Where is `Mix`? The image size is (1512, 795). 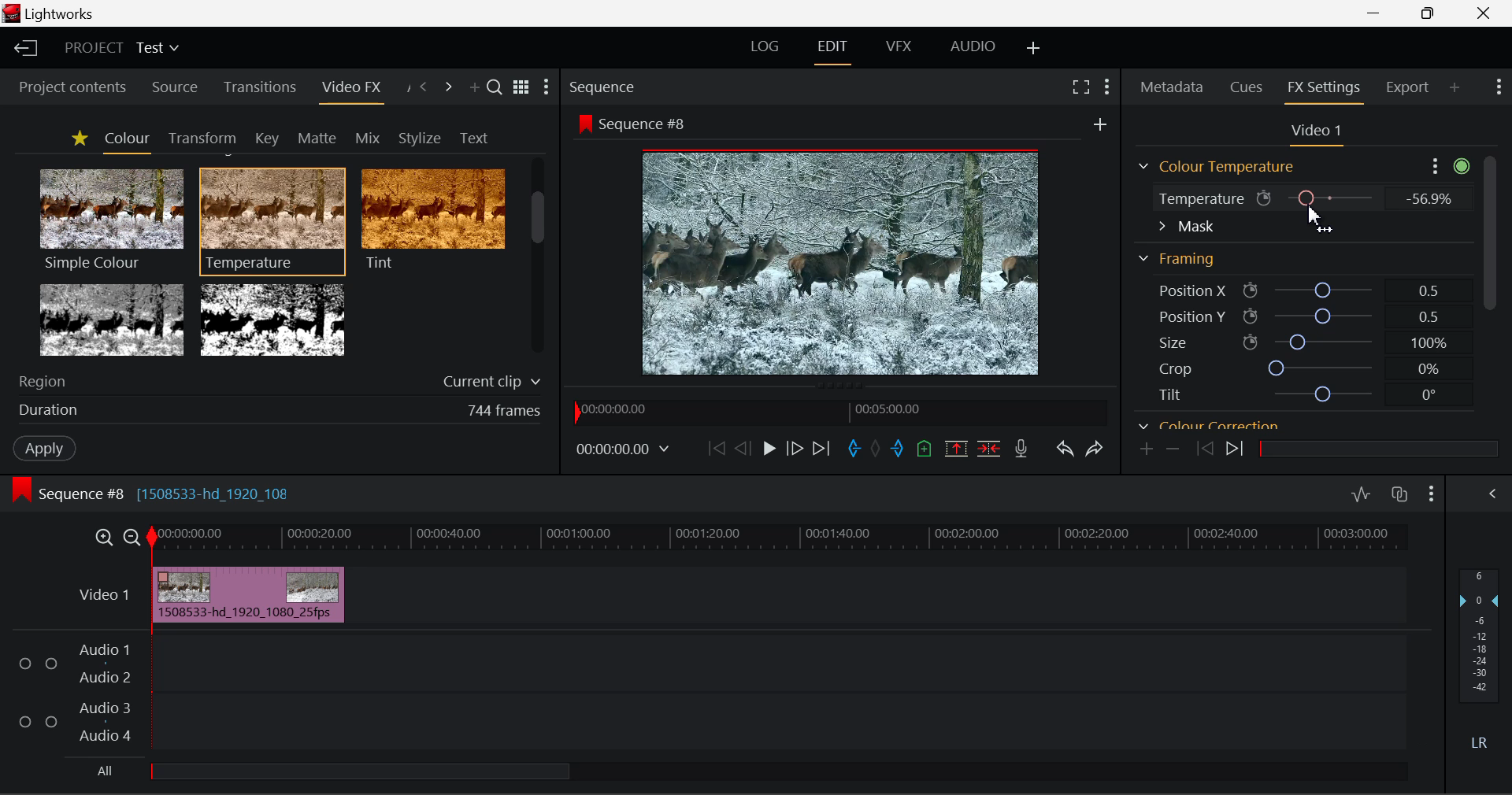 Mix is located at coordinates (369, 135).